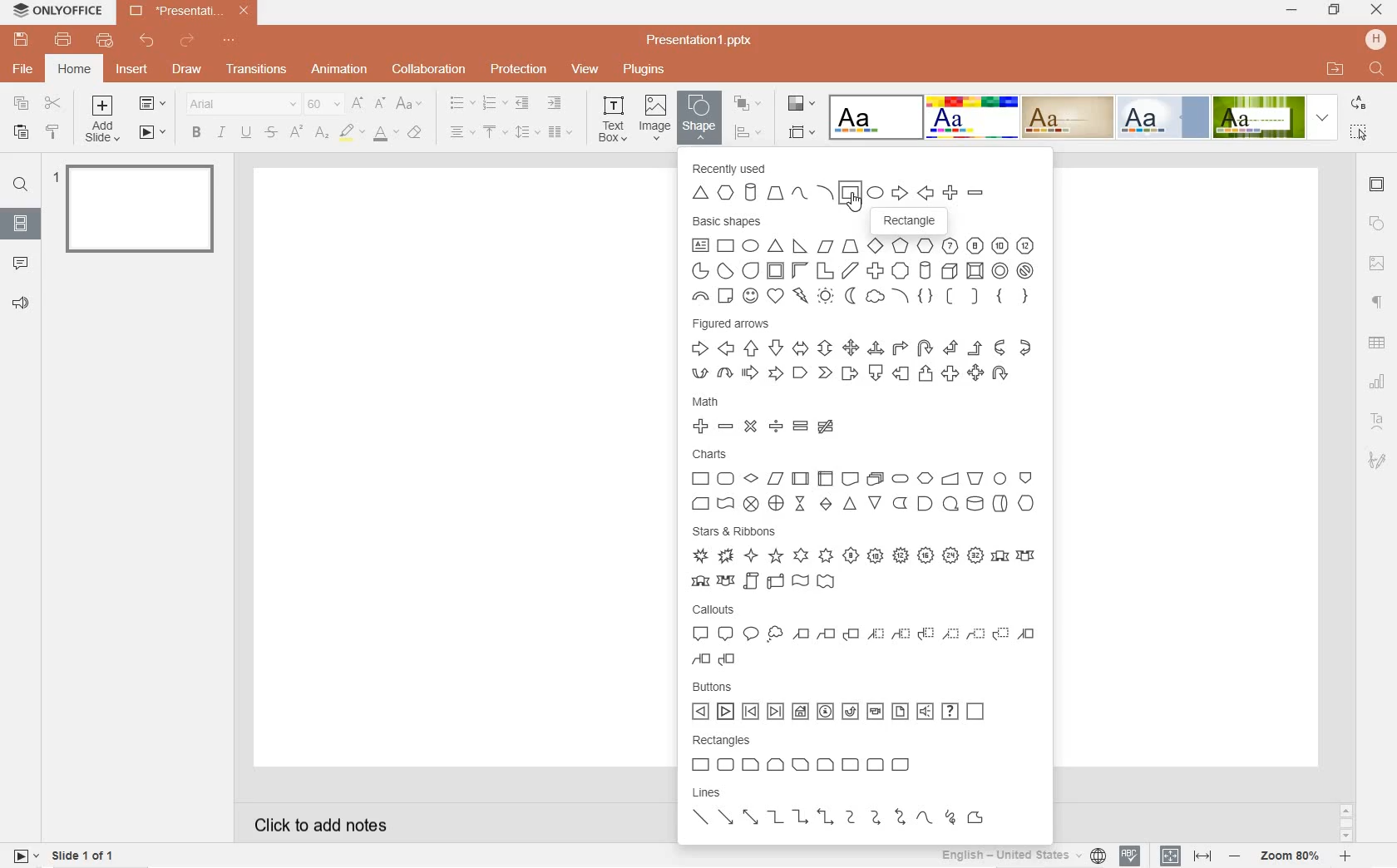 The width and height of the screenshot is (1397, 868). I want to click on buttons, so click(711, 684).